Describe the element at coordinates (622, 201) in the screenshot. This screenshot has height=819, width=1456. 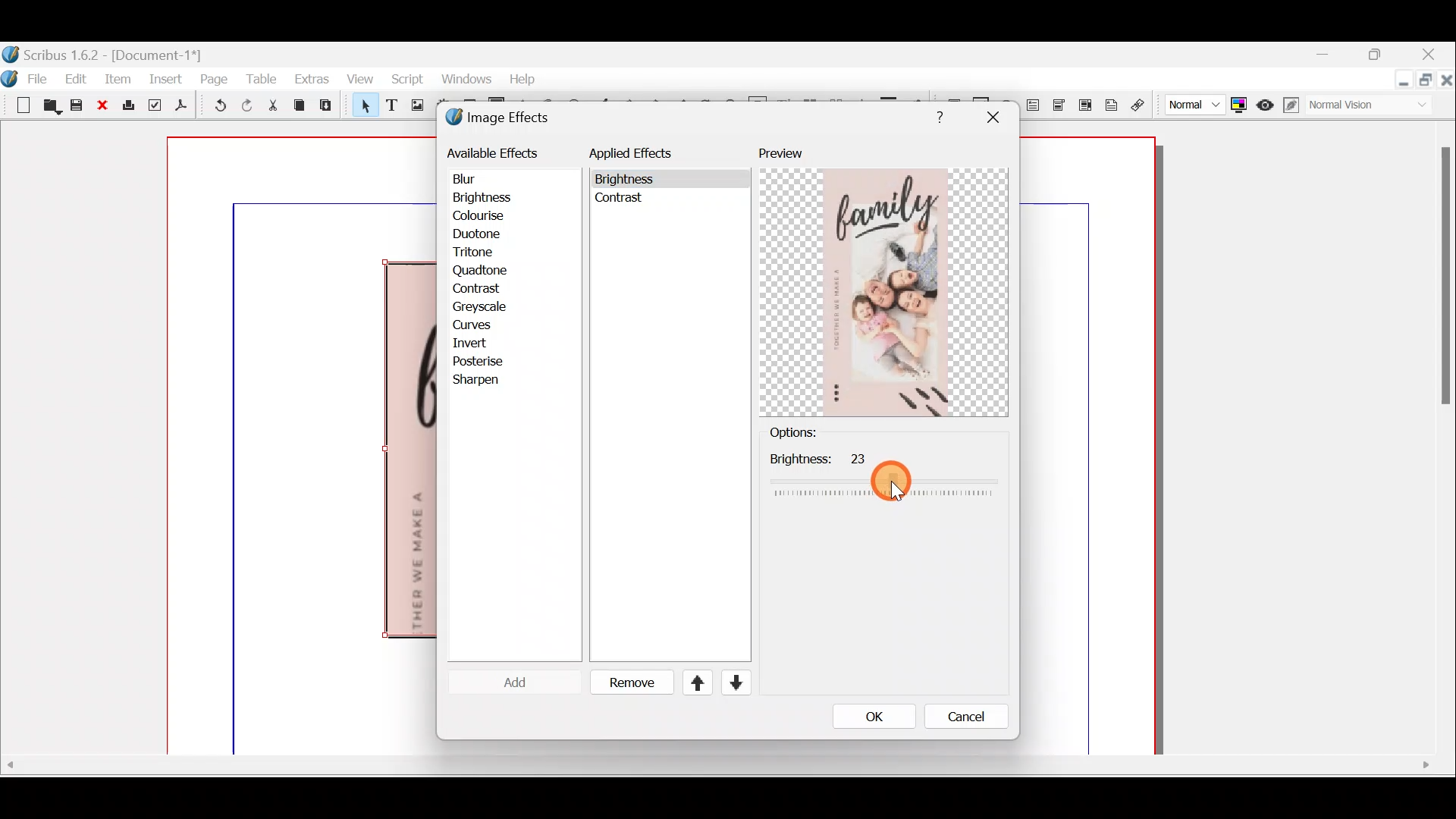
I see `` at that location.